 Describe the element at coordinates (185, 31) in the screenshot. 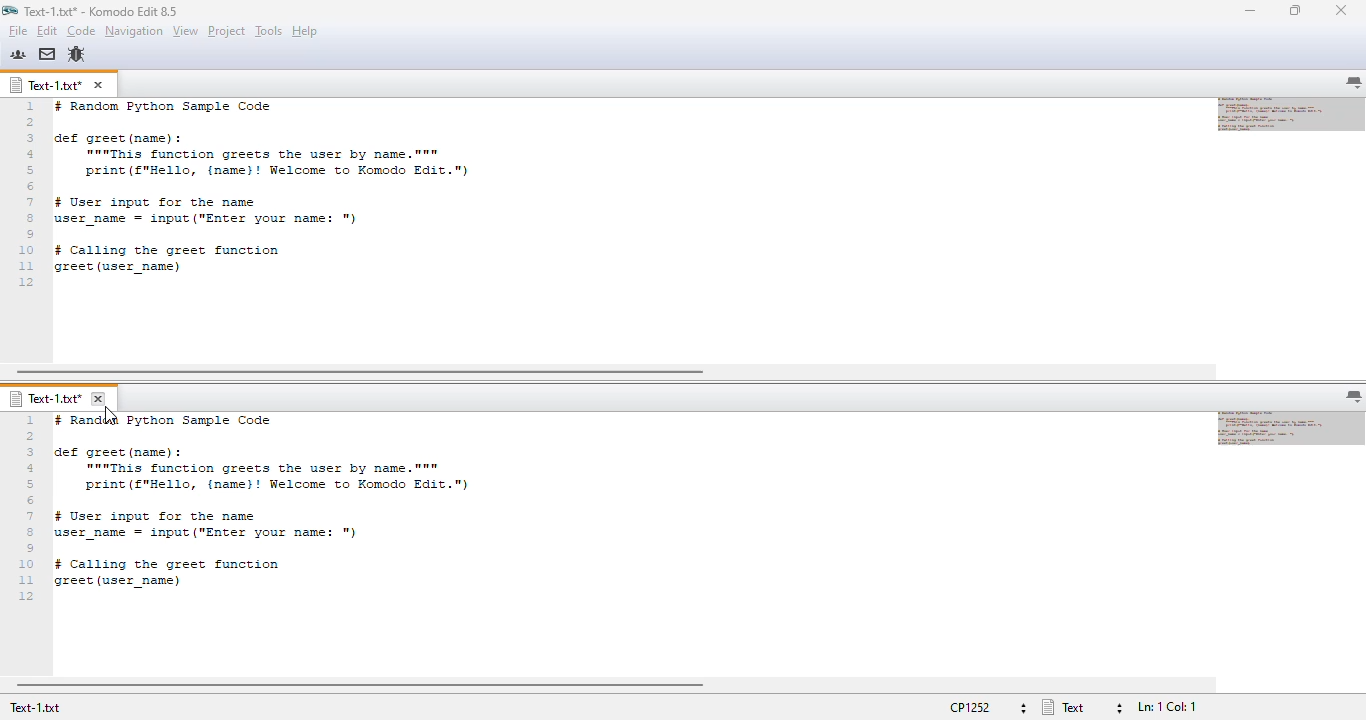

I see `view` at that location.